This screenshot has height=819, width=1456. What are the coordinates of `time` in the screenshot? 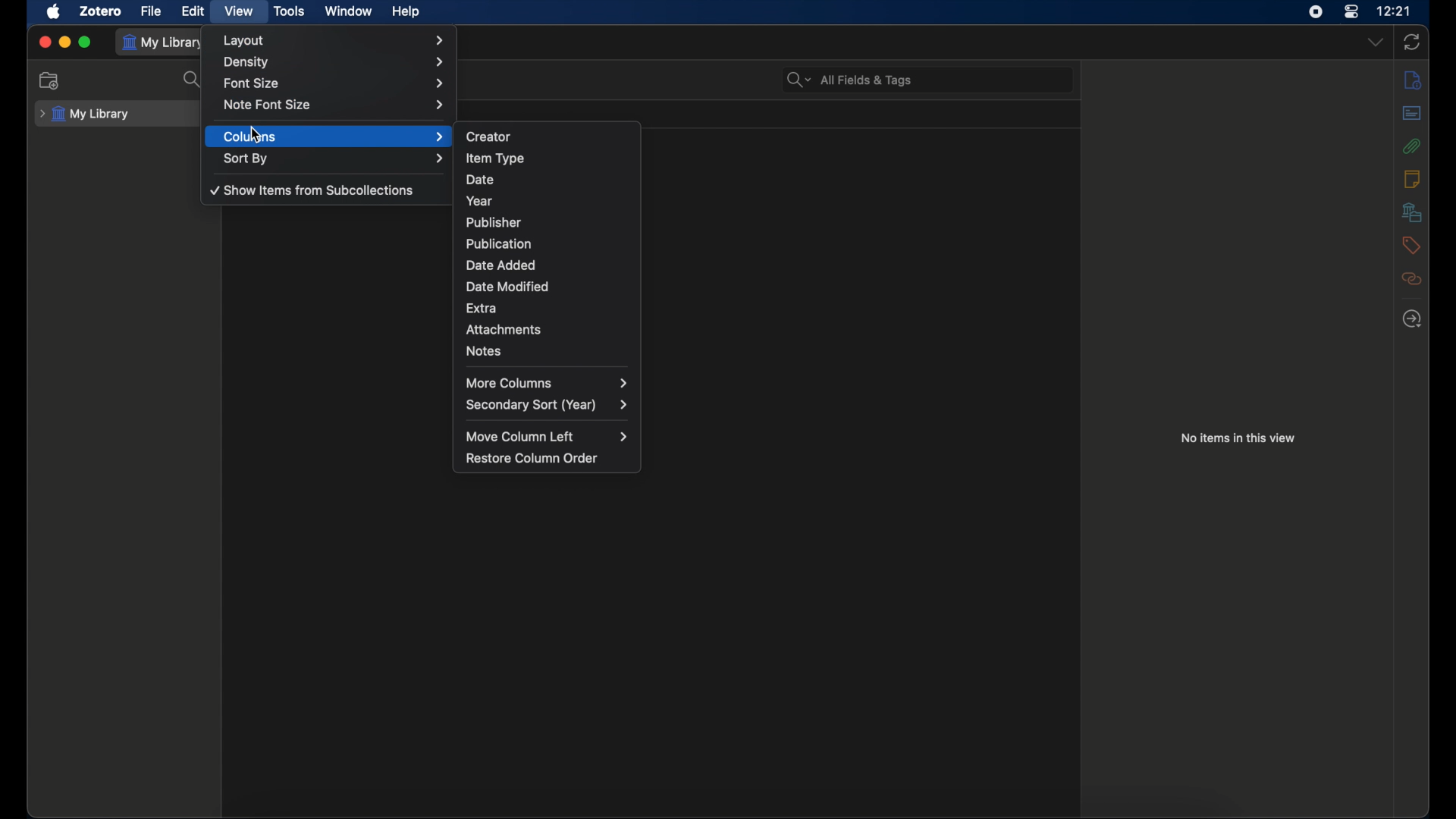 It's located at (1394, 10).